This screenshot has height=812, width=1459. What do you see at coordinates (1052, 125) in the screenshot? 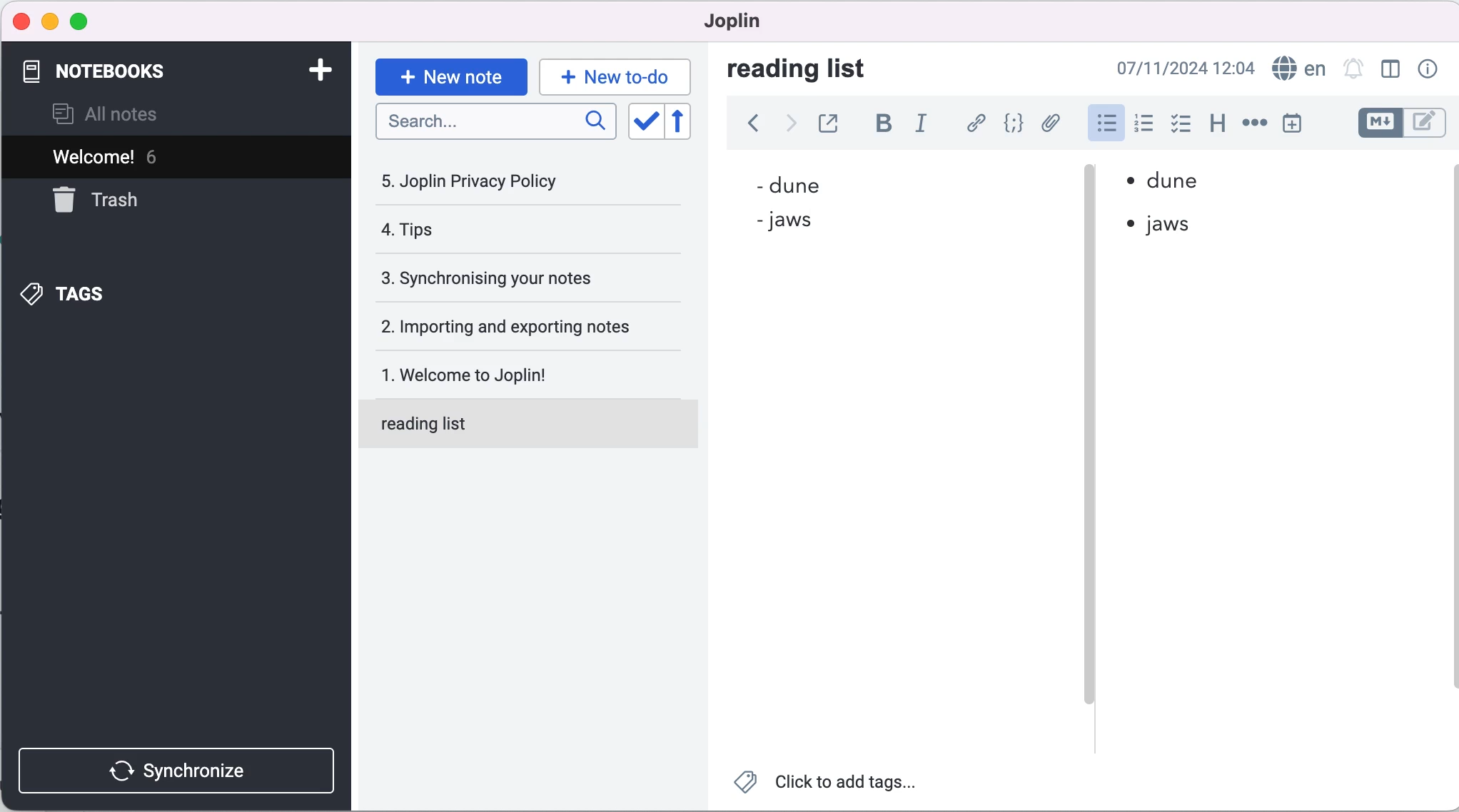
I see `attach file` at bounding box center [1052, 125].